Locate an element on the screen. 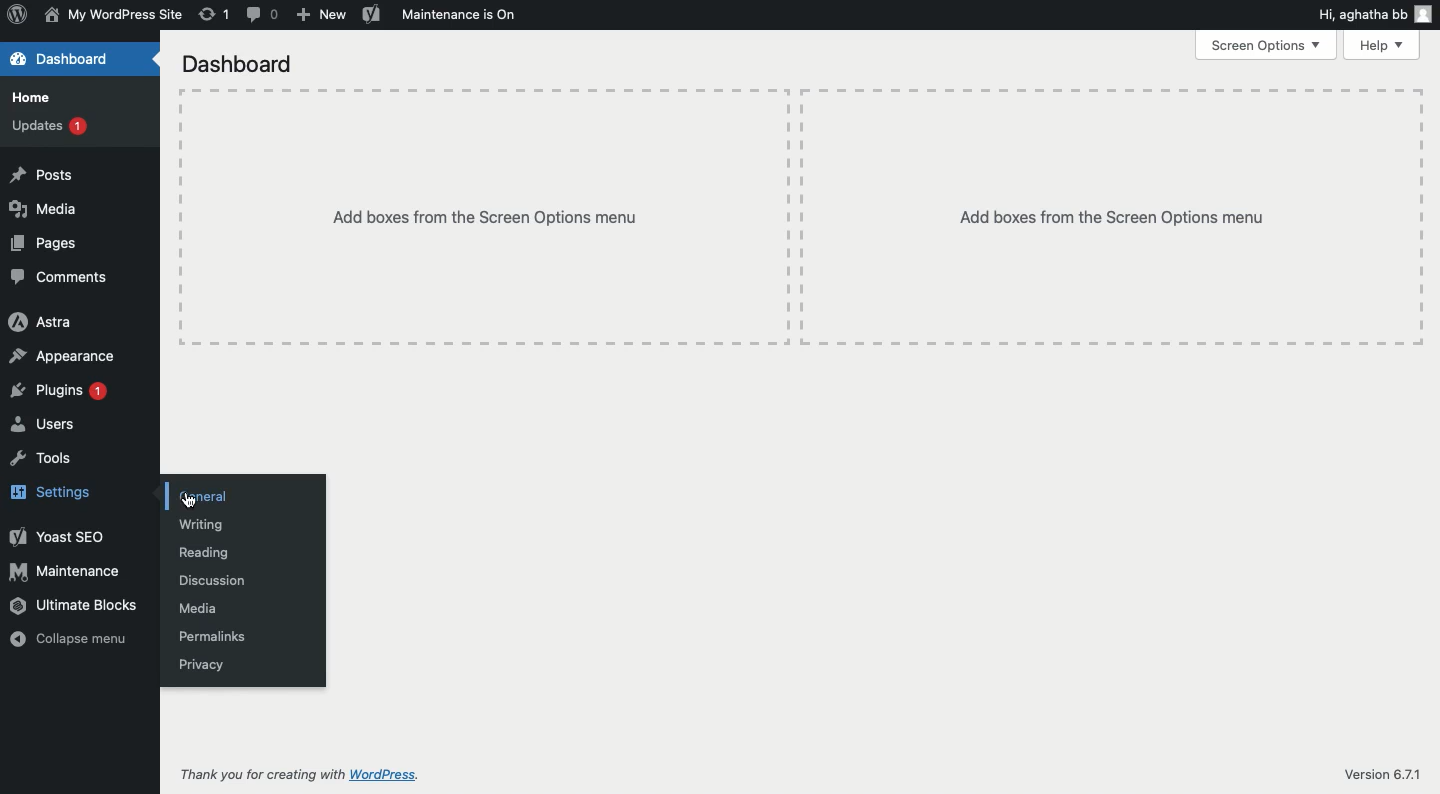  Ultimate blocks is located at coordinates (76, 605).